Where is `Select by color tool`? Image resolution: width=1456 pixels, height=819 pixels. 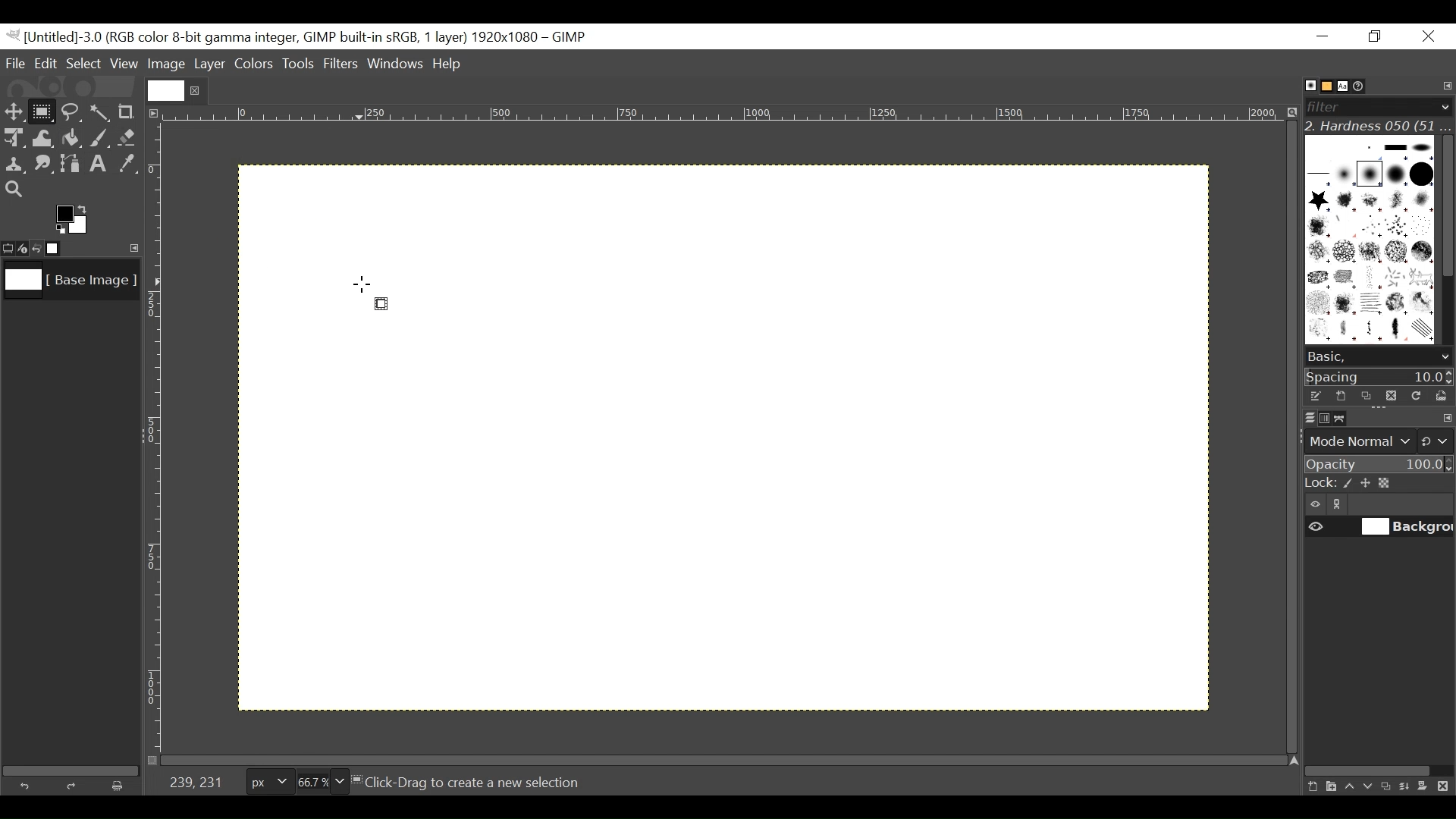 Select by color tool is located at coordinates (102, 111).